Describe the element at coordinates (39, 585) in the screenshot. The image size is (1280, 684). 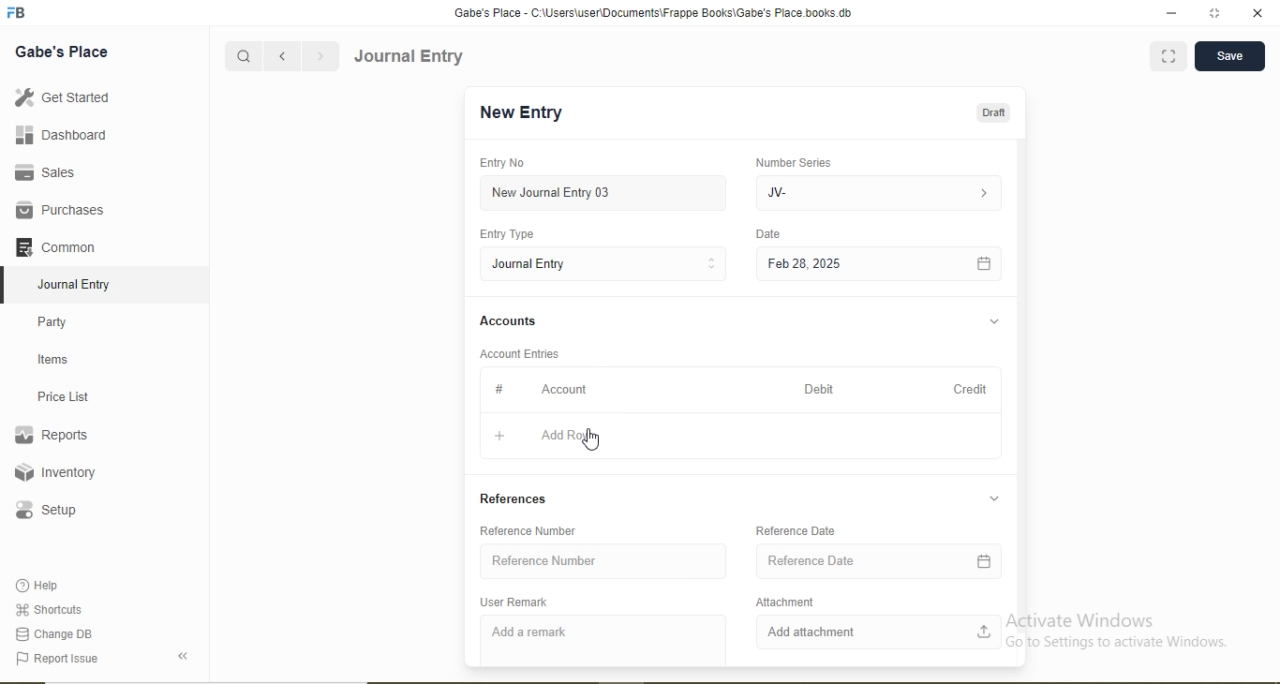
I see `Help` at that location.